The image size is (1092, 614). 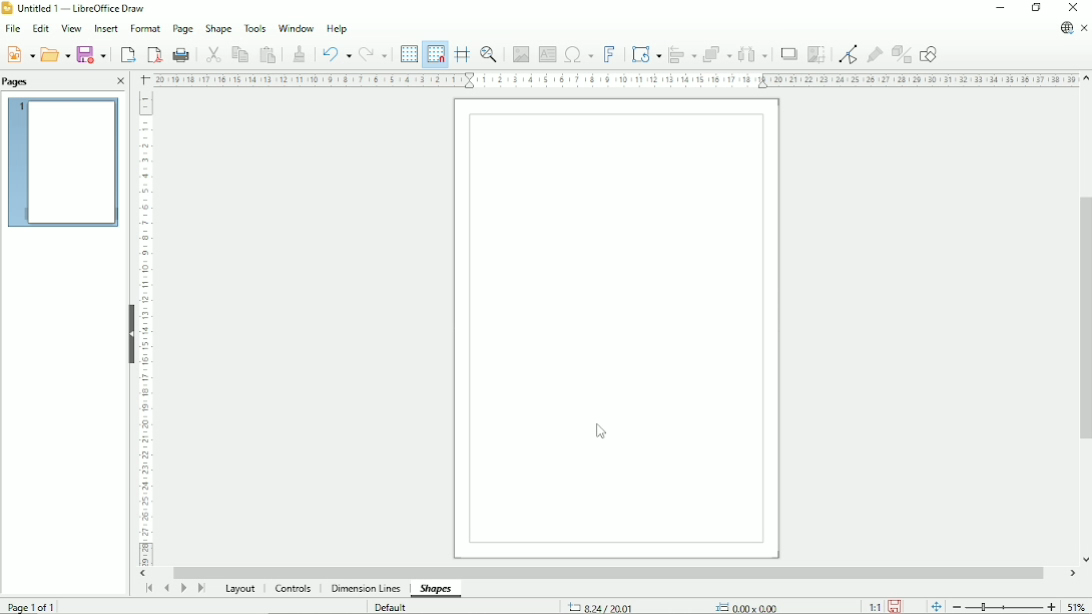 What do you see at coordinates (154, 54) in the screenshot?
I see `Export directly as PDF` at bounding box center [154, 54].